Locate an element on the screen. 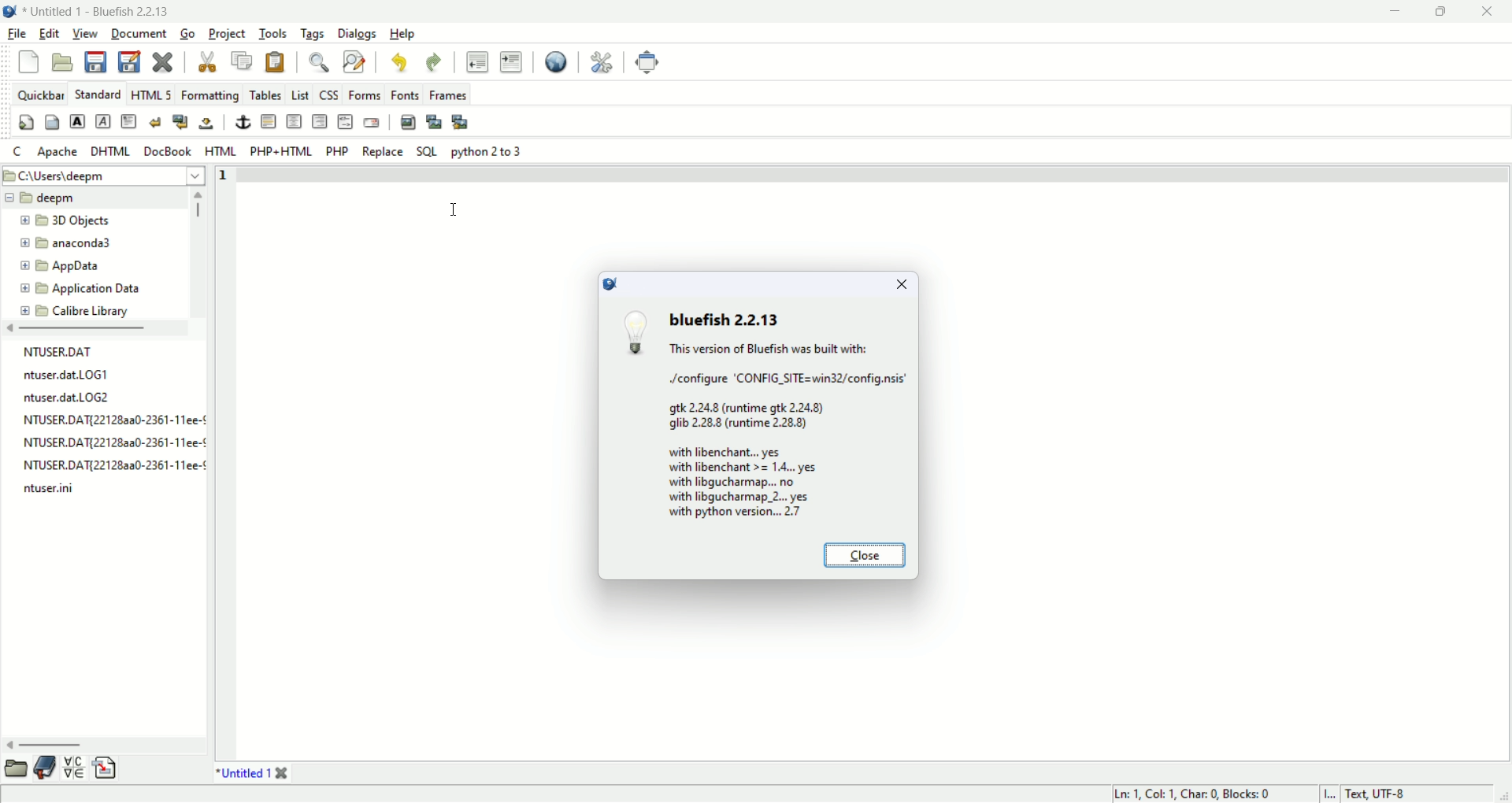 This screenshot has height=803, width=1512. horizontal rule is located at coordinates (269, 121).